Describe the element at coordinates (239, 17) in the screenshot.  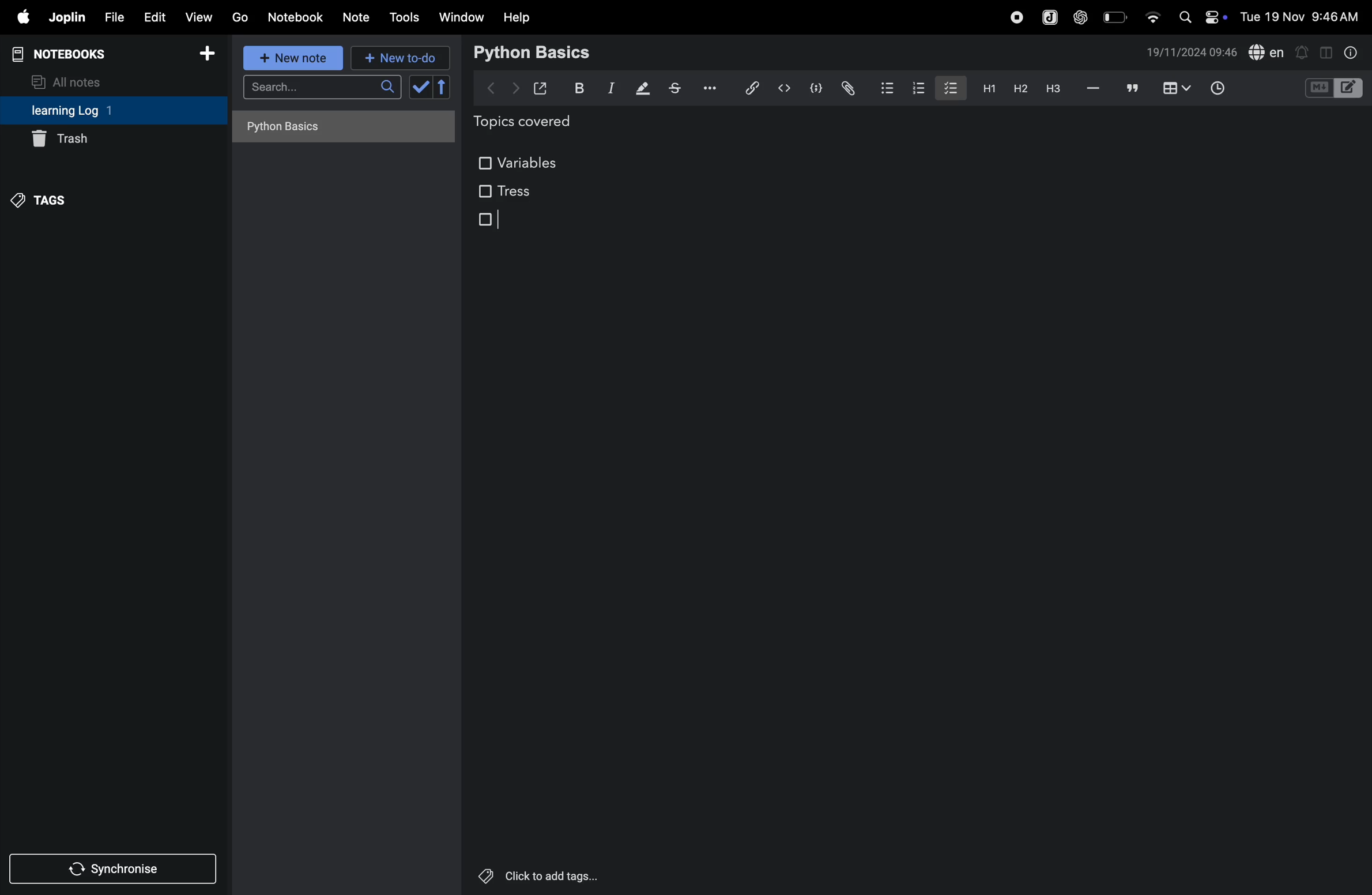
I see `go` at that location.